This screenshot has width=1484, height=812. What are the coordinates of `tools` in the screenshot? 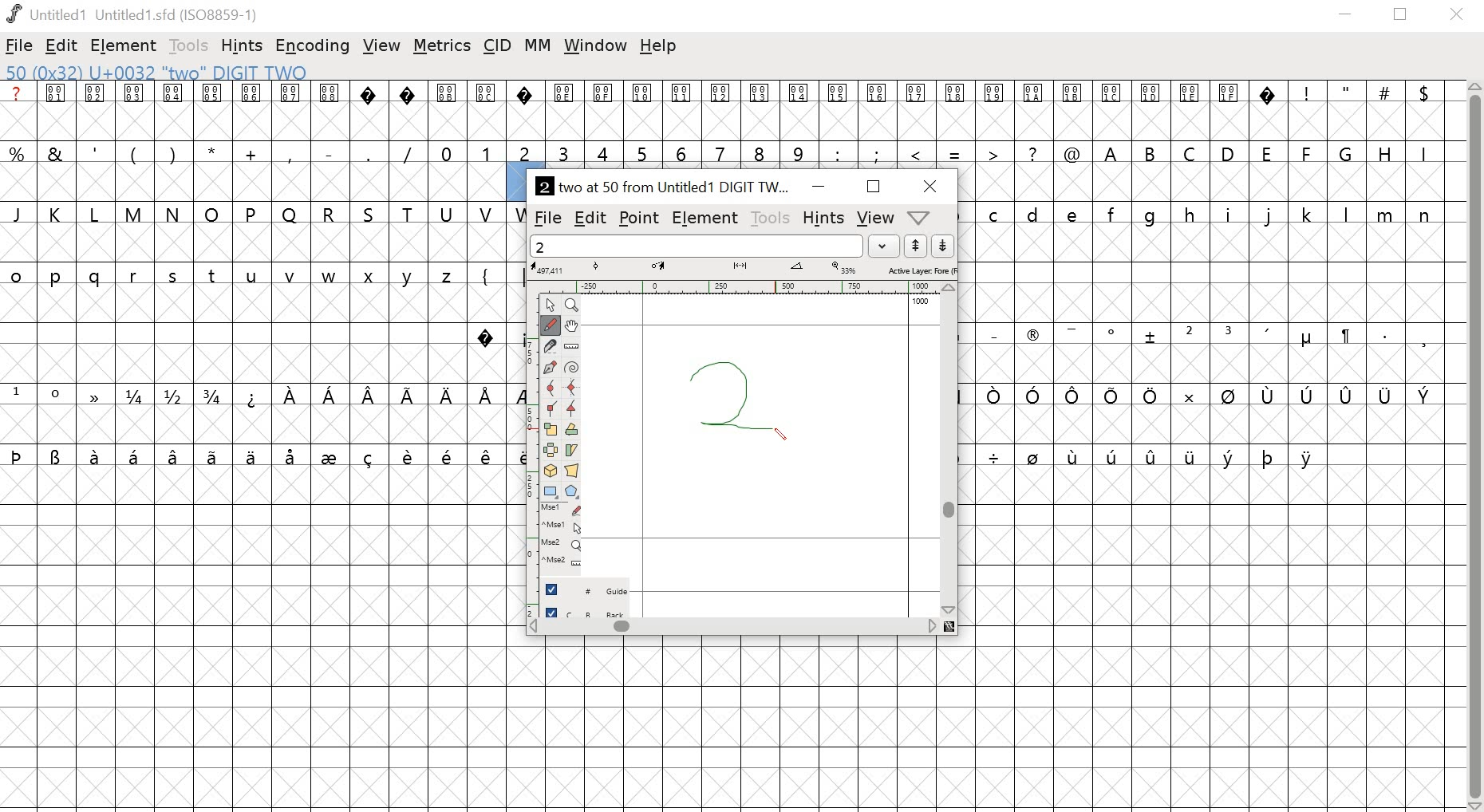 It's located at (189, 46).